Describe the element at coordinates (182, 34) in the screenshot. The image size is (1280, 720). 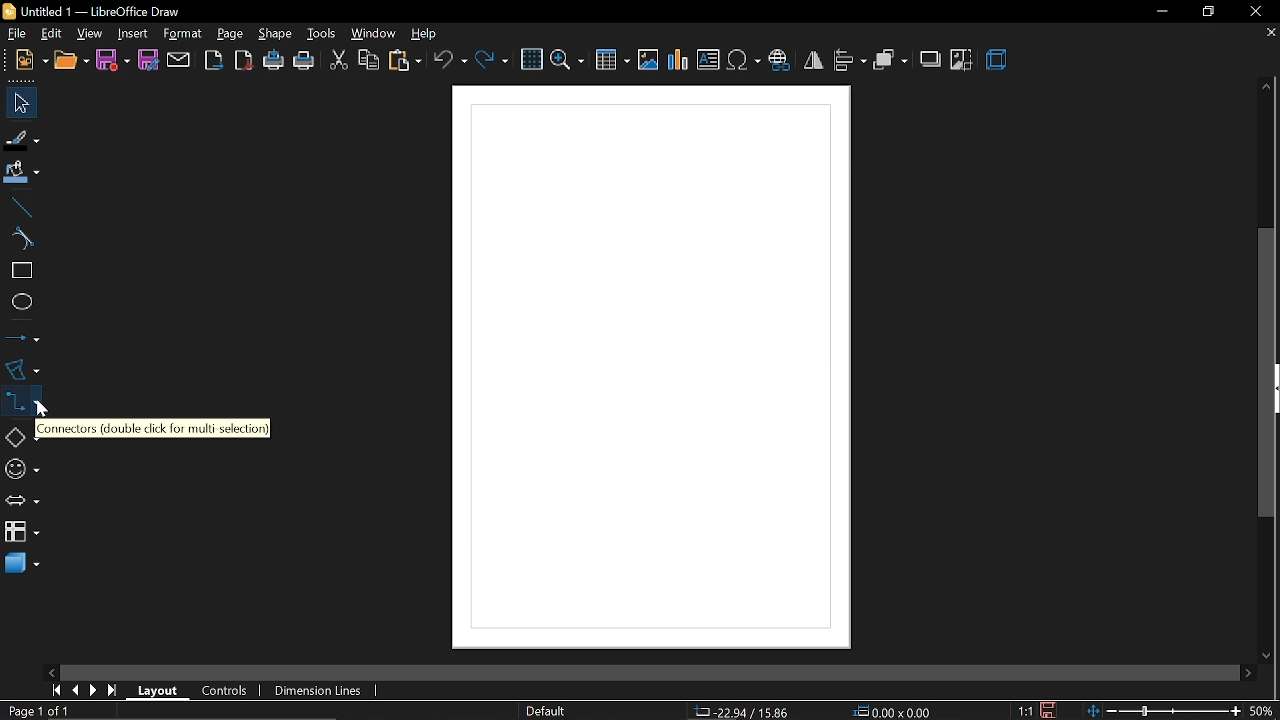
I see `format` at that location.